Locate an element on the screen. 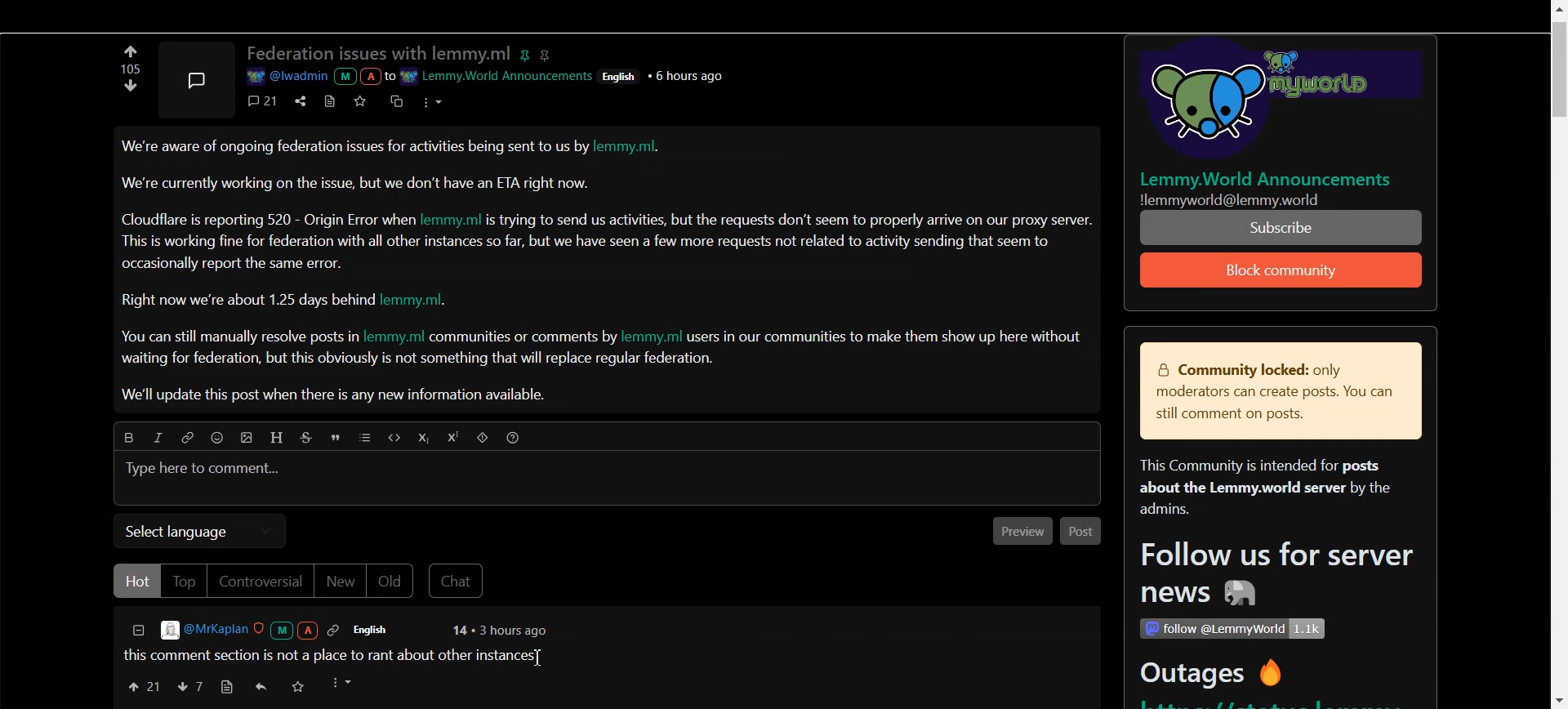 Image resolution: width=1568 pixels, height=709 pixels. New is located at coordinates (340, 582).